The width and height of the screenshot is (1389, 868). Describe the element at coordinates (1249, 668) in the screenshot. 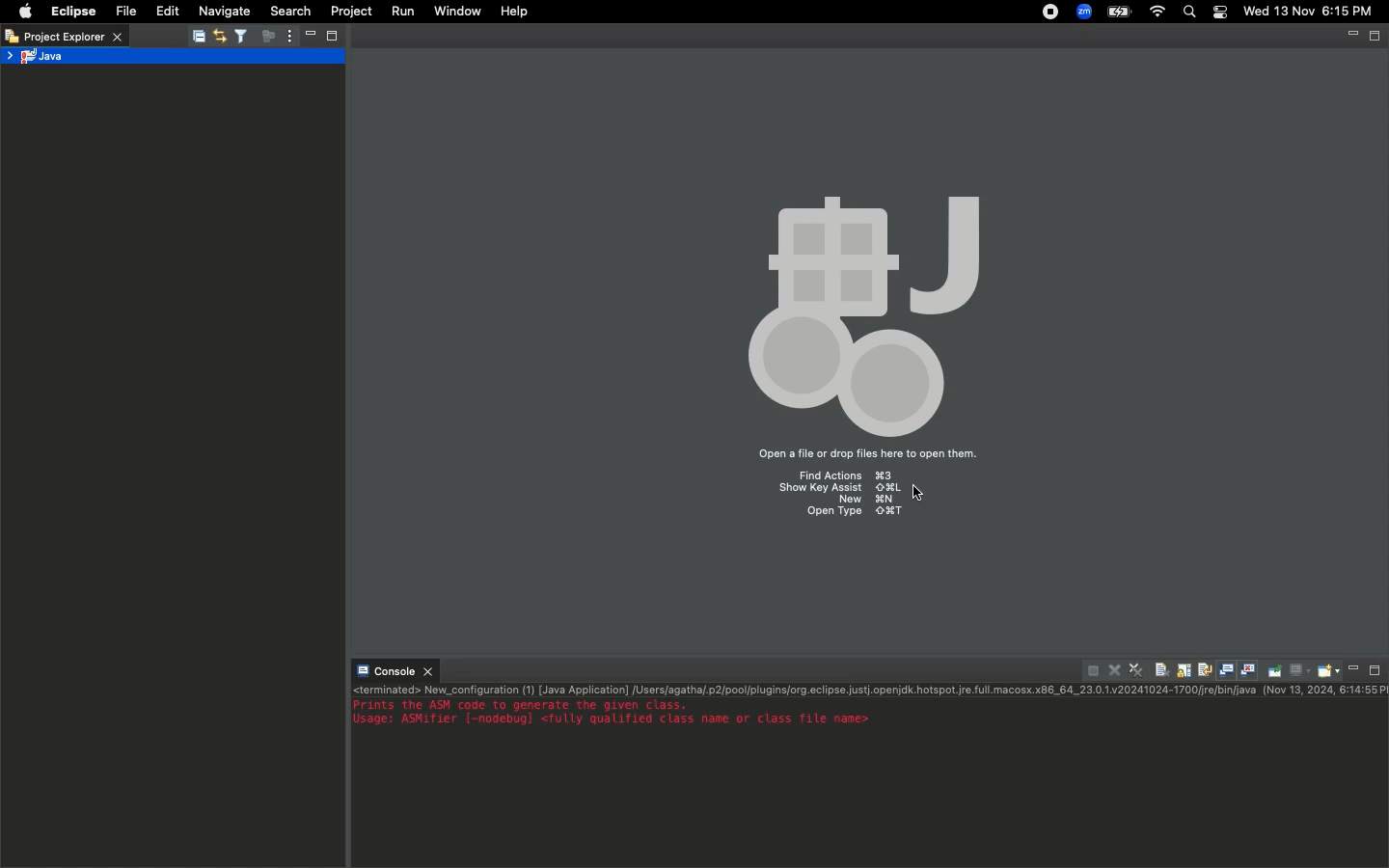

I see `Show console when standard error changes` at that location.